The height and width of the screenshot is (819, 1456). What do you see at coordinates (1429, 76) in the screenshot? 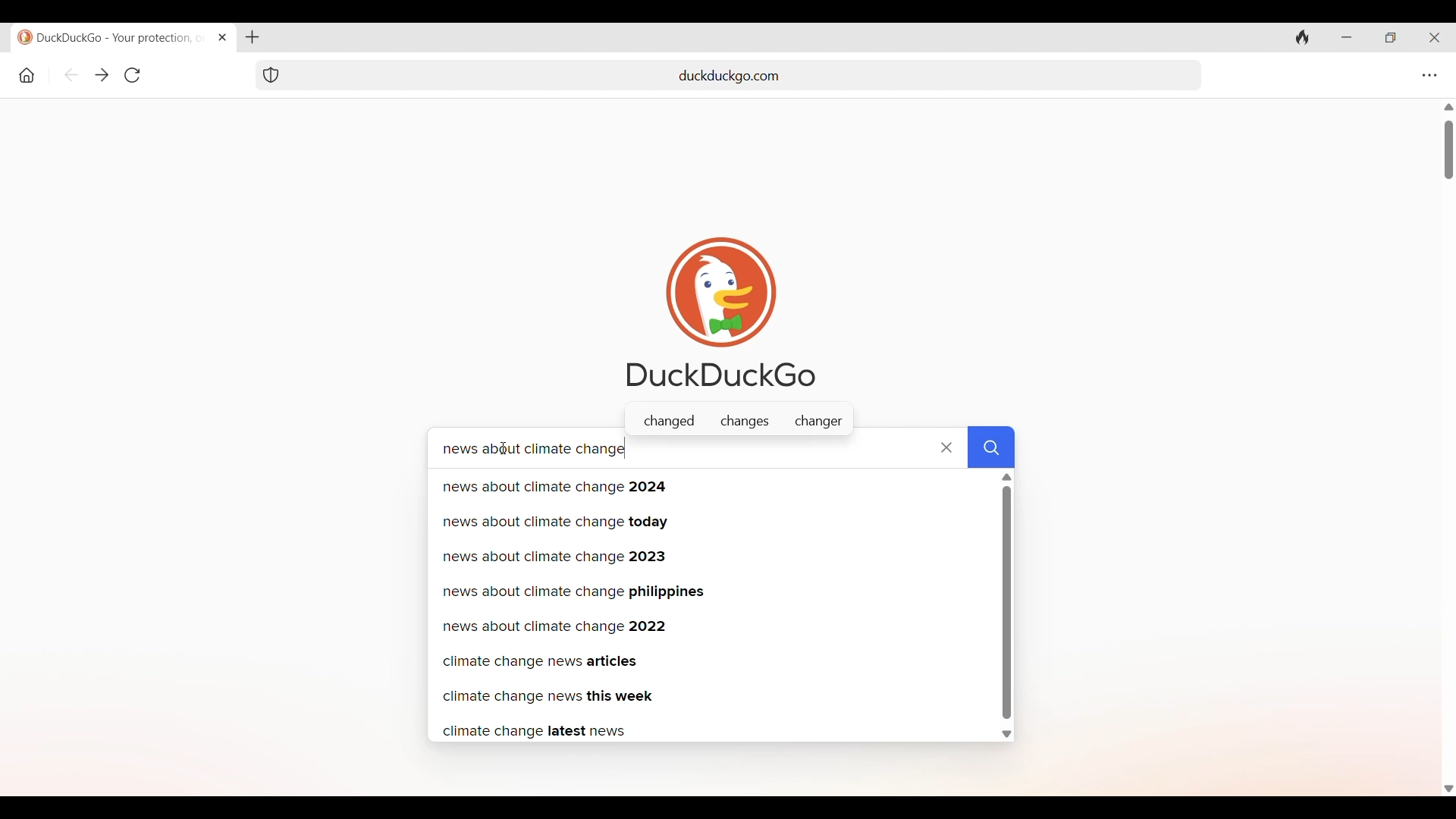
I see `Browser settings` at bounding box center [1429, 76].